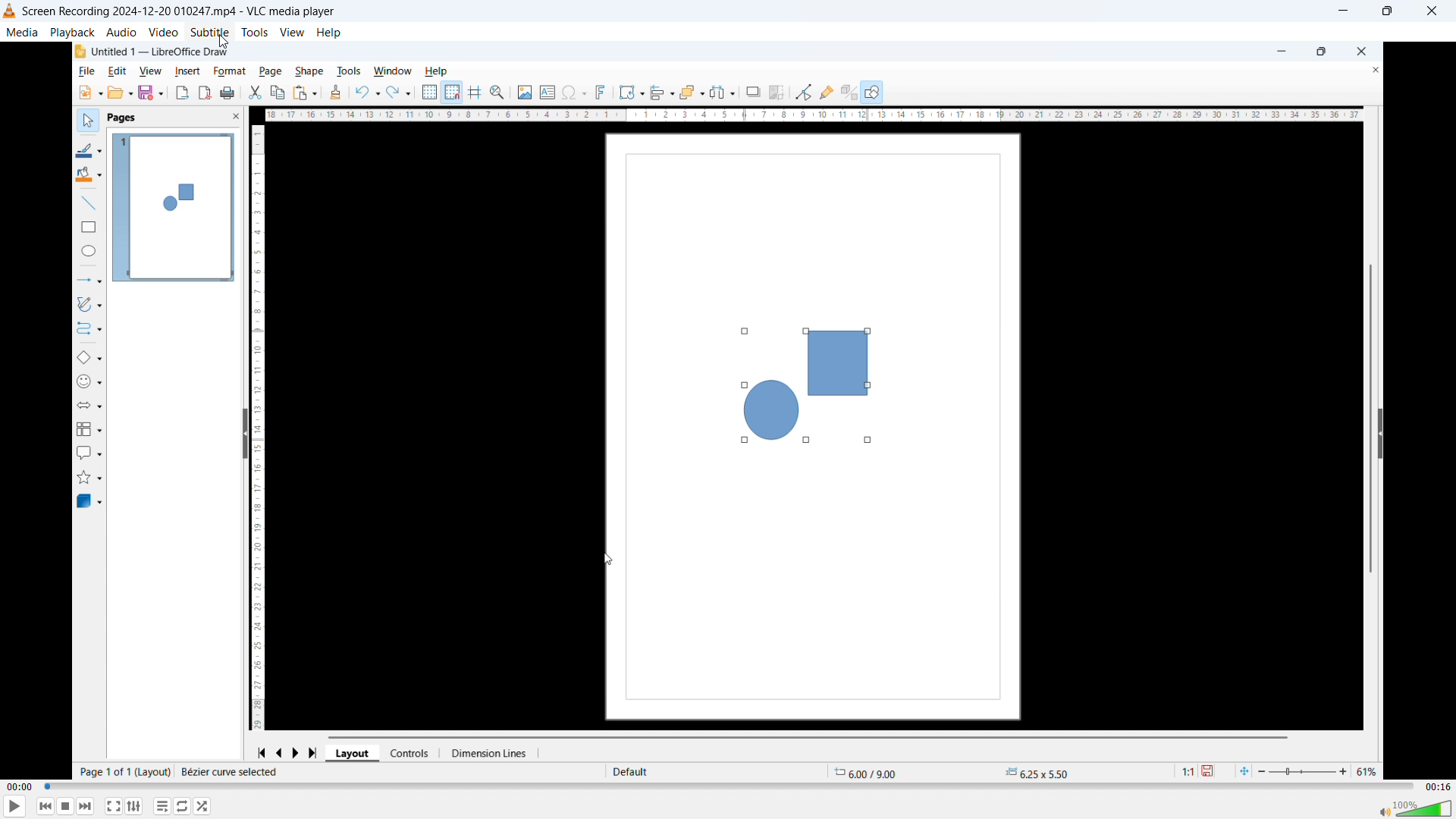 The height and width of the screenshot is (819, 1456). What do you see at coordinates (753, 91) in the screenshot?
I see `shadow` at bounding box center [753, 91].